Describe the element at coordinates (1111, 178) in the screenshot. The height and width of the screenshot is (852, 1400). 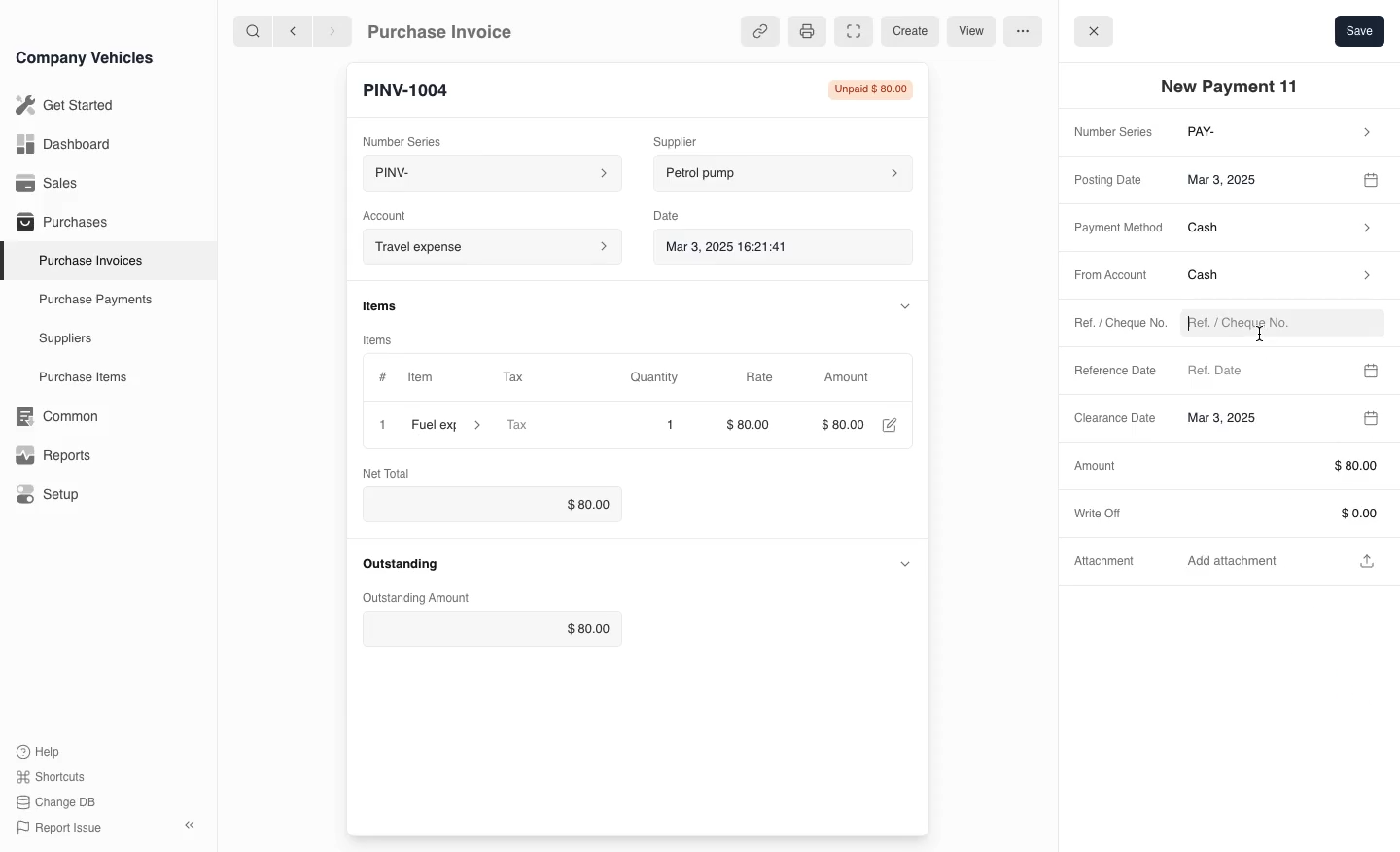
I see `Posting Date` at that location.